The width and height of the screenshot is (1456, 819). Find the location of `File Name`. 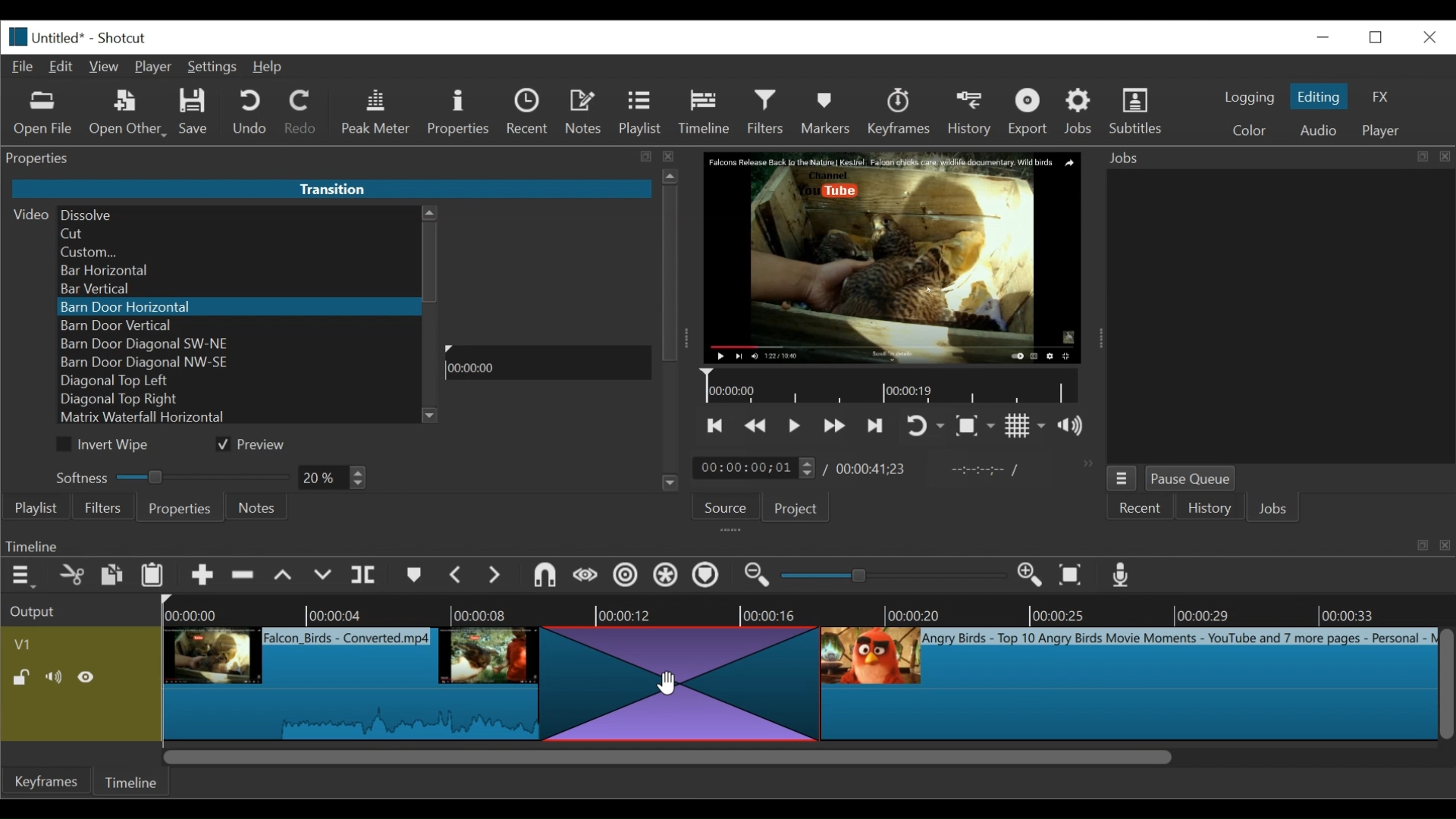

File Name is located at coordinates (63, 36).